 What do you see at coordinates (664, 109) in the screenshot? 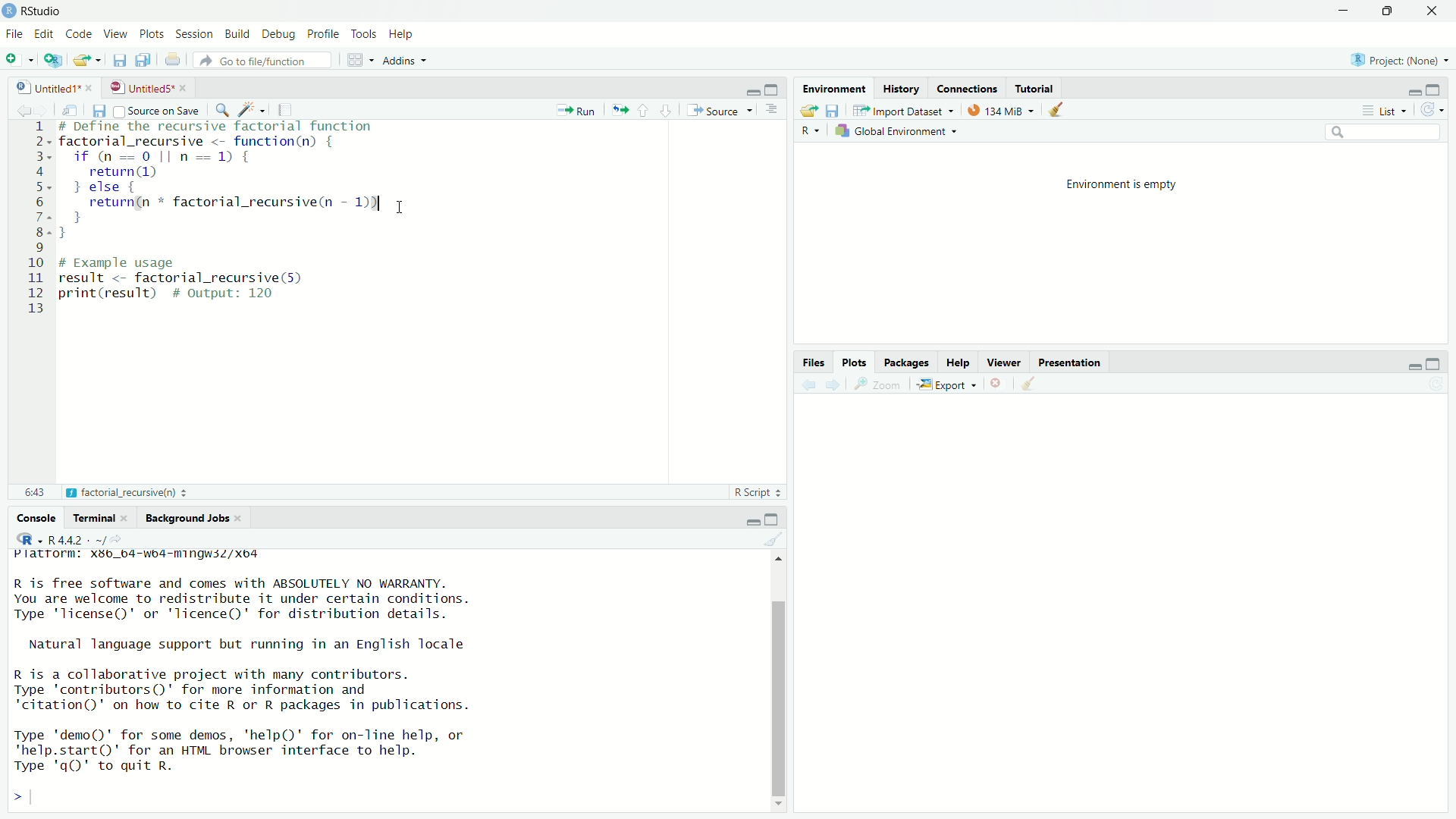
I see `Go to next section/chunk (Ctrl + pgDn)` at bounding box center [664, 109].